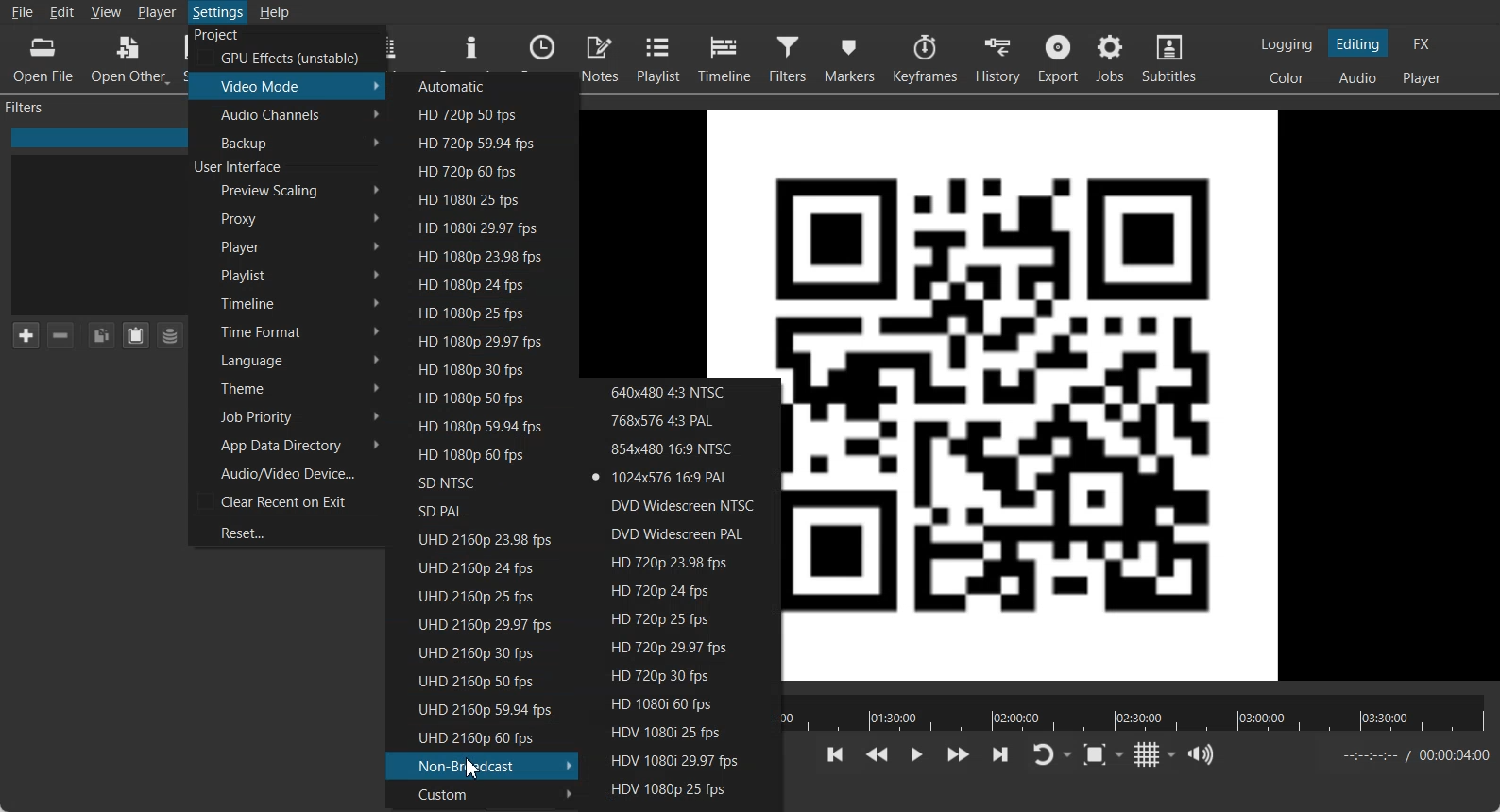  I want to click on HD 1080p 25 fps, so click(477, 313).